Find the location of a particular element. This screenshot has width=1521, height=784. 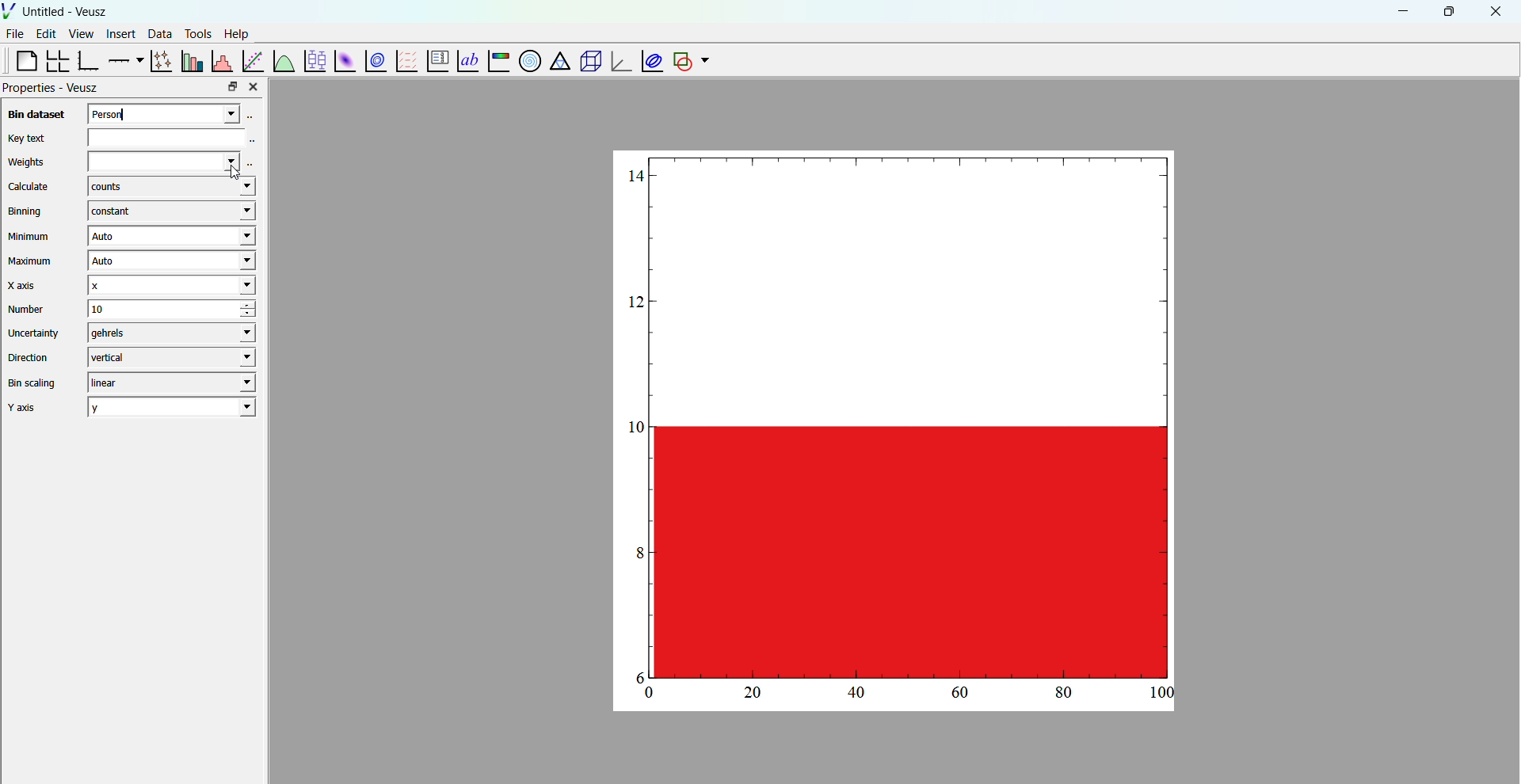

Weights is located at coordinates (26, 163).